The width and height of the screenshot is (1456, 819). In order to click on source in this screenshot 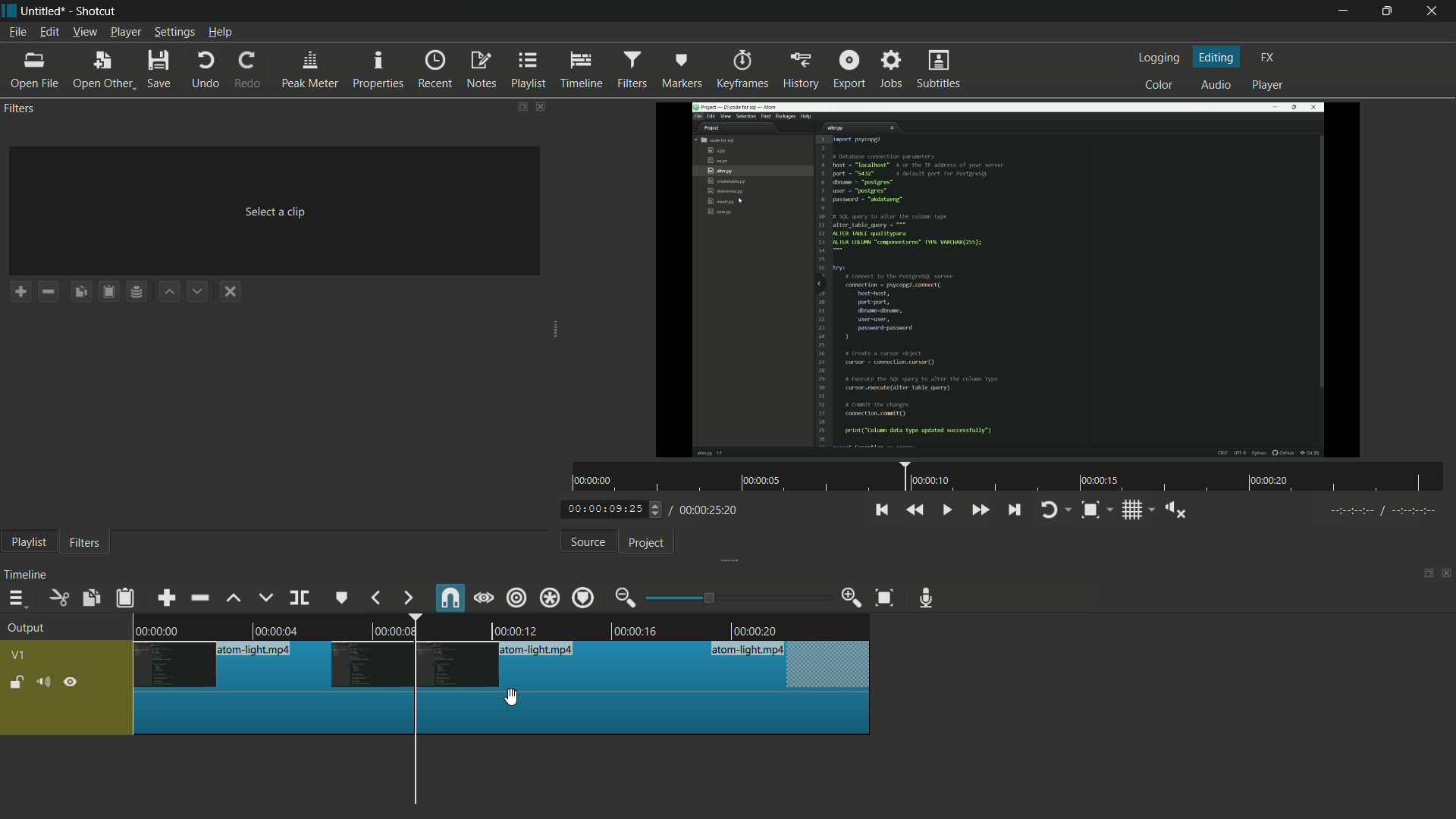, I will do `click(588, 542)`.